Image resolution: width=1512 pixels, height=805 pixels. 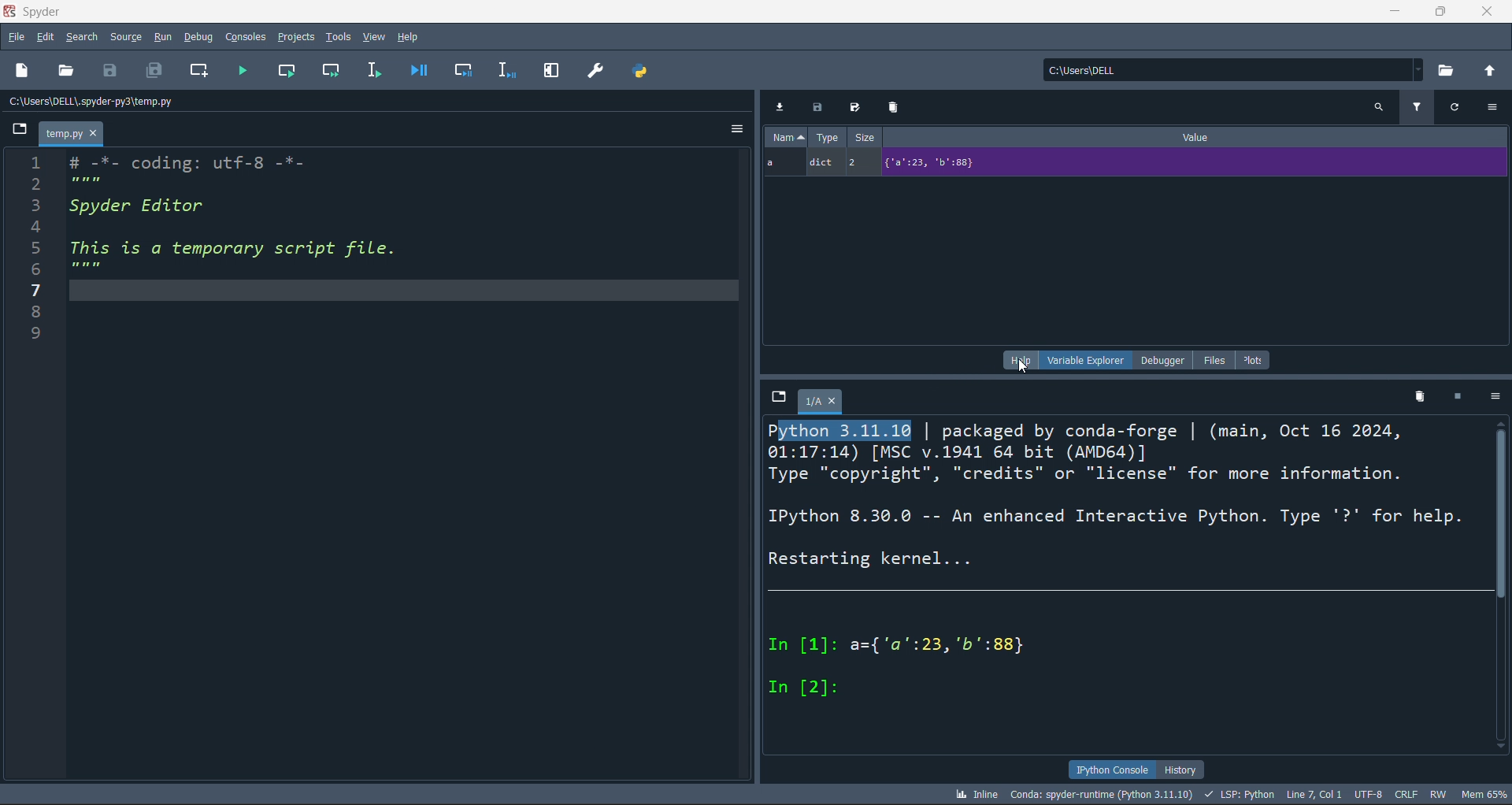 What do you see at coordinates (1435, 796) in the screenshot?
I see `RW` at bounding box center [1435, 796].